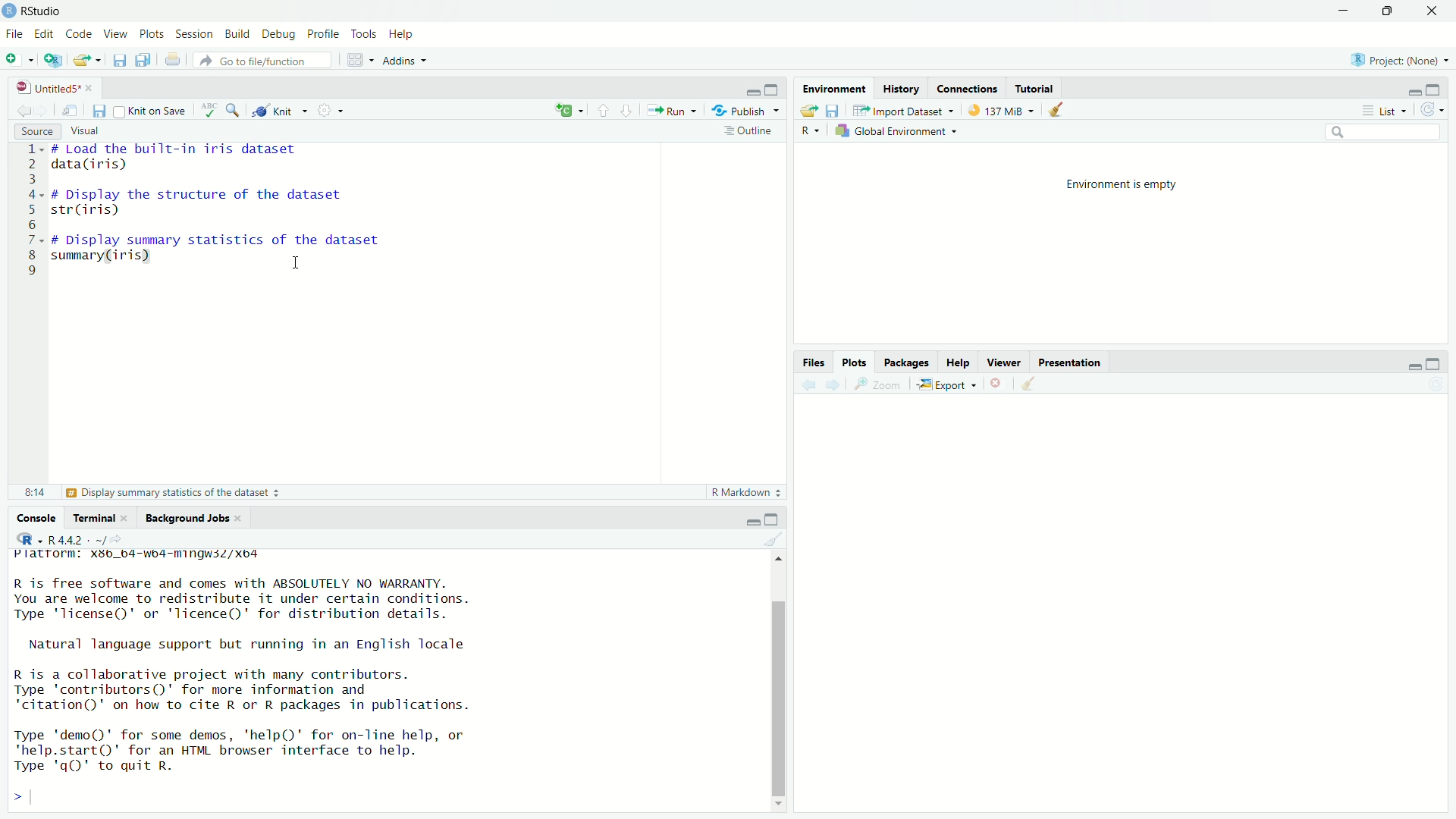 Image resolution: width=1456 pixels, height=819 pixels. Describe the element at coordinates (999, 383) in the screenshot. I see `Remove selected` at that location.